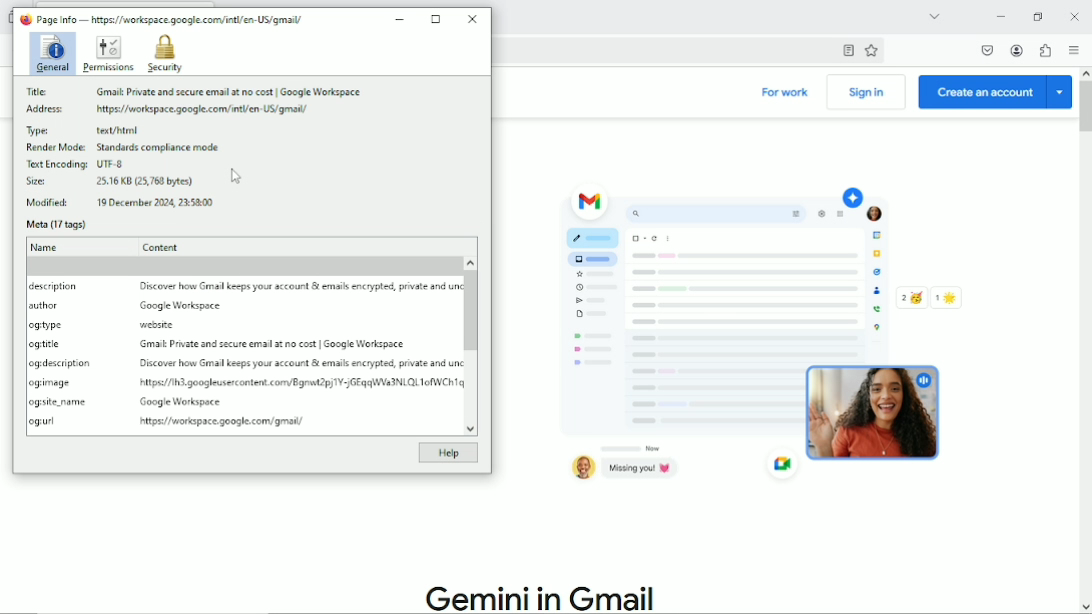 The width and height of the screenshot is (1092, 614). Describe the element at coordinates (1045, 50) in the screenshot. I see `Extensions` at that location.